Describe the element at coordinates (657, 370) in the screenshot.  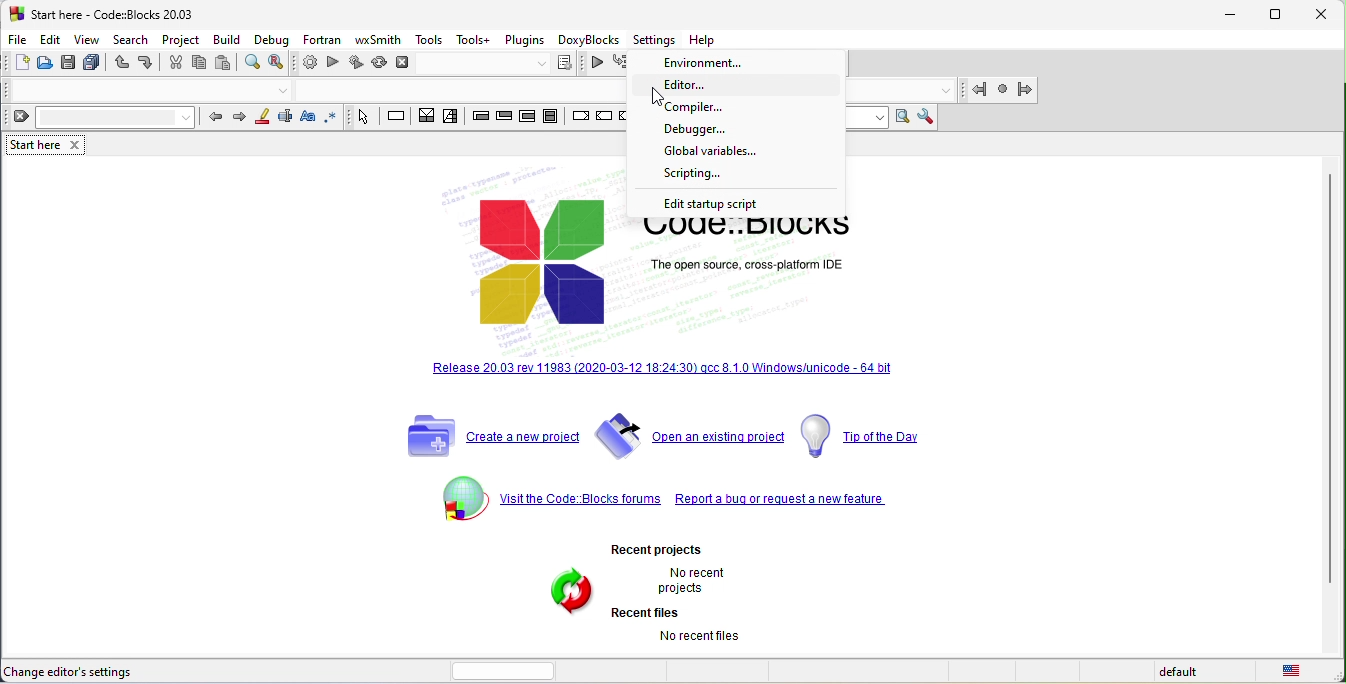
I see `release 20.03 rev 11983 [2020-03-12 18.24.30] qcc 8.10 windows /unicode 64 bit` at that location.